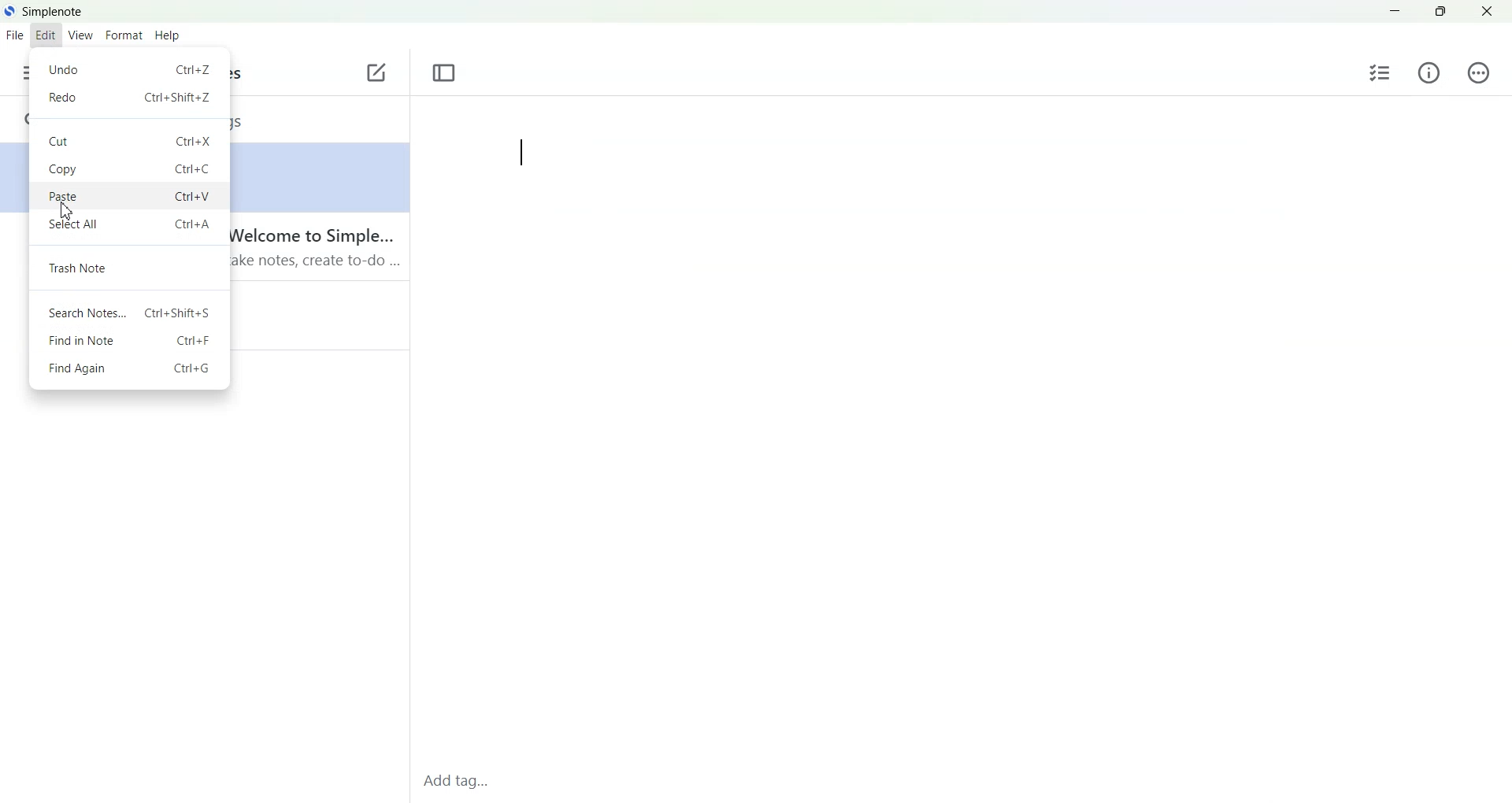 This screenshot has height=803, width=1512. Describe the element at coordinates (67, 211) in the screenshot. I see `Cursor` at that location.